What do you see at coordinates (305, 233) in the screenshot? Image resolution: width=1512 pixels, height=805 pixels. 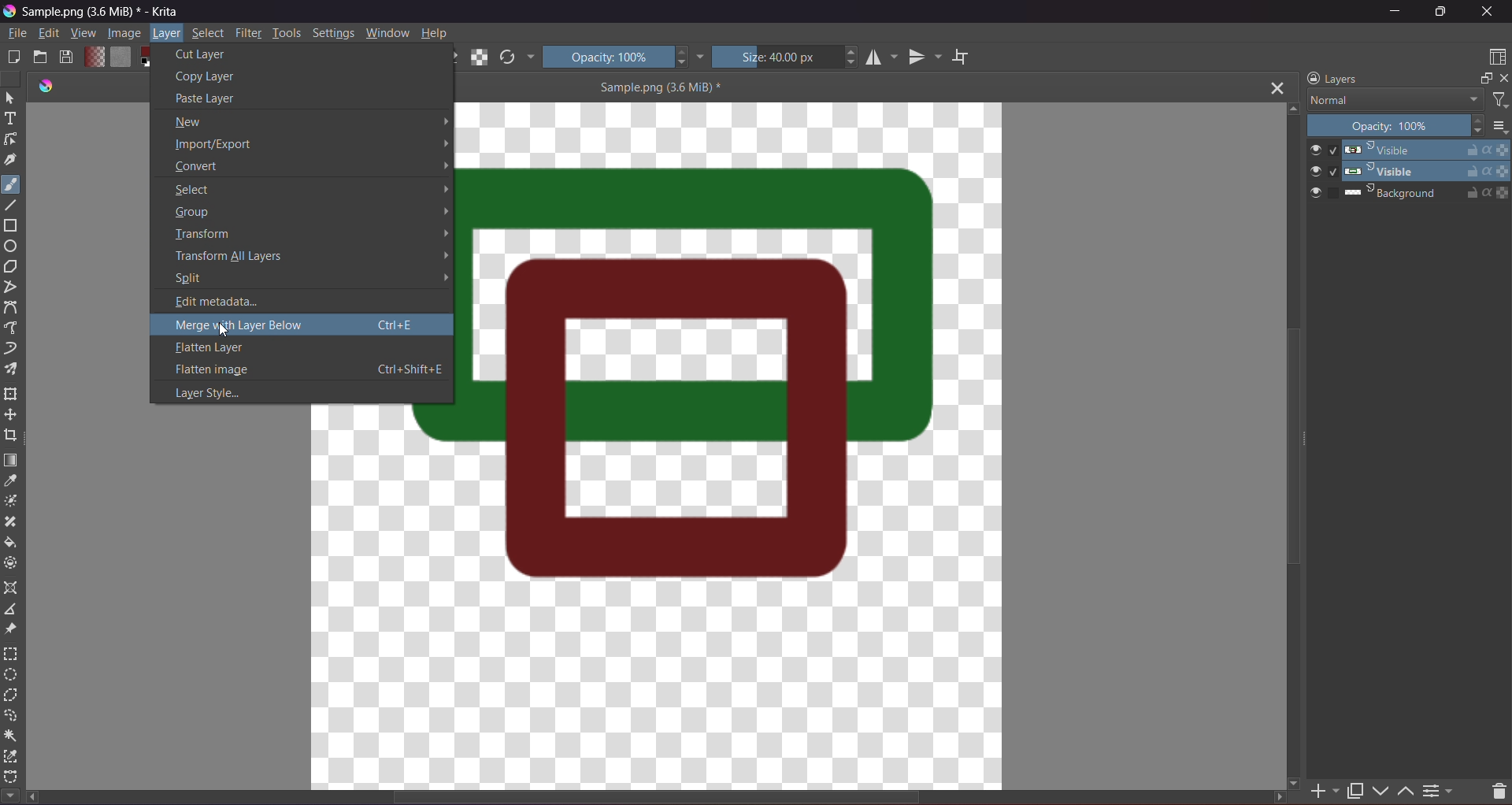 I see `Transform` at bounding box center [305, 233].